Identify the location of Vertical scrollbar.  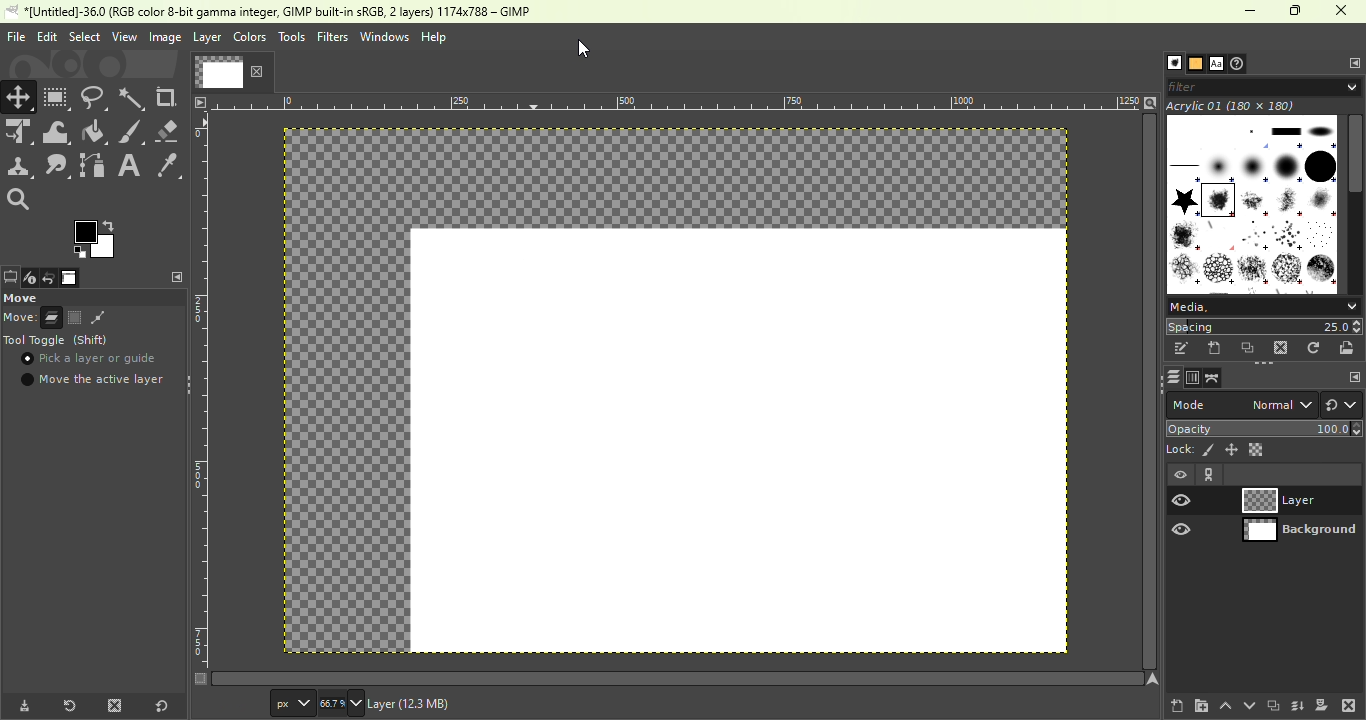
(678, 678).